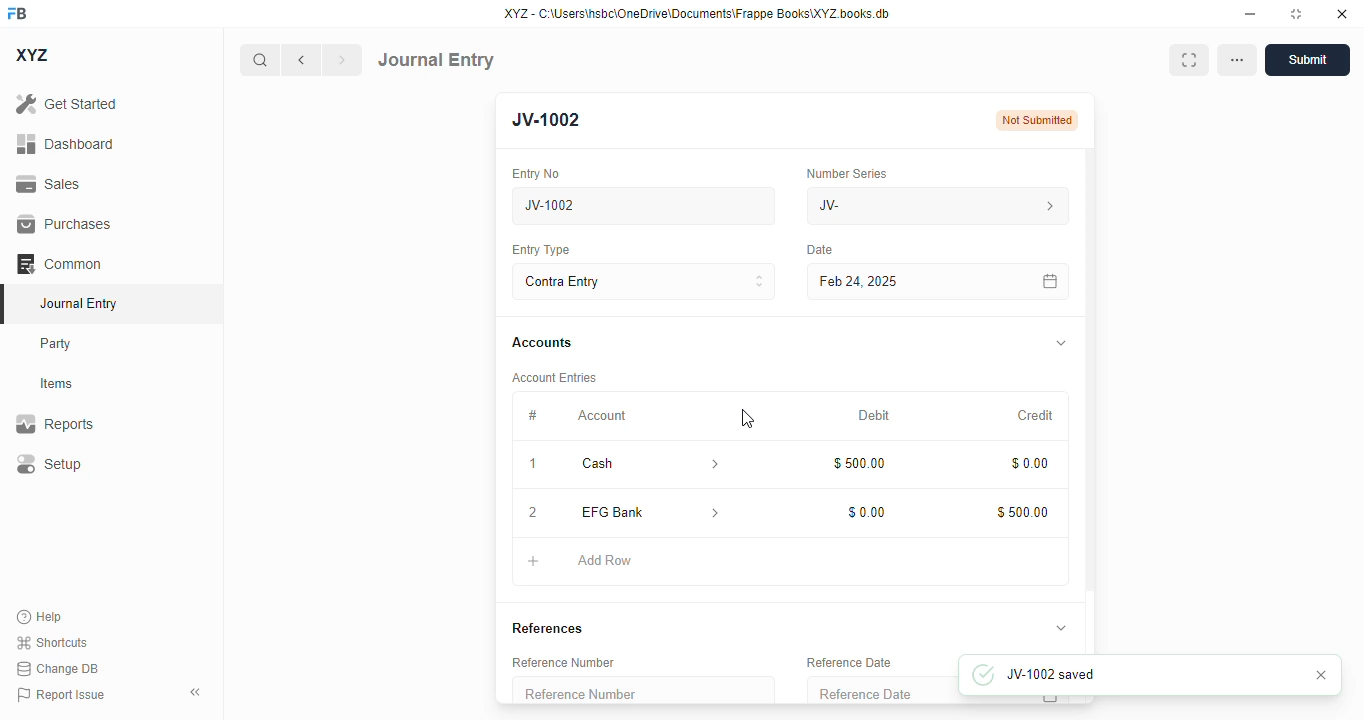 This screenshot has height=720, width=1364. What do you see at coordinates (343, 60) in the screenshot?
I see `next` at bounding box center [343, 60].